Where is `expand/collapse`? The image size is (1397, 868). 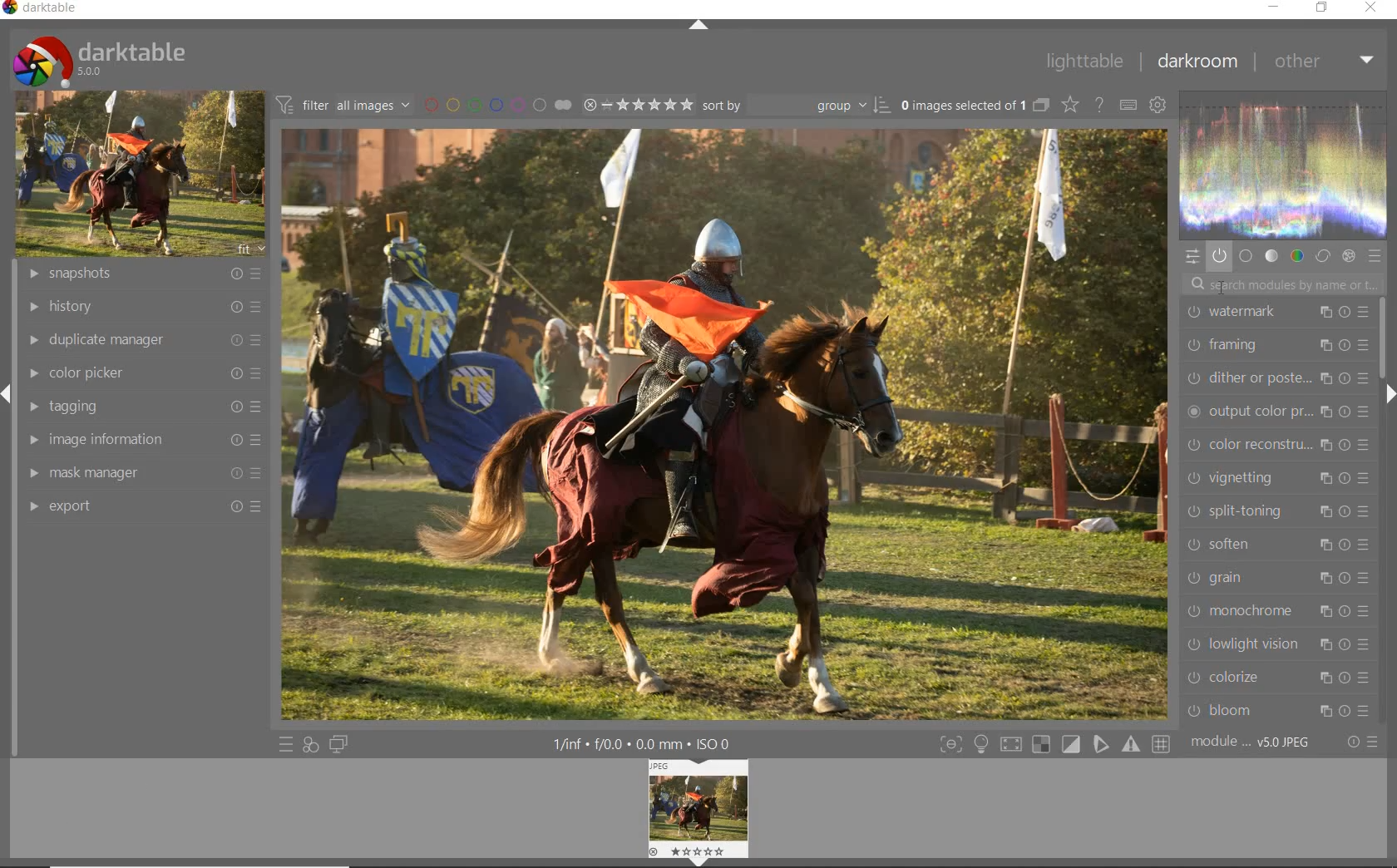
expand/collapse is located at coordinates (698, 26).